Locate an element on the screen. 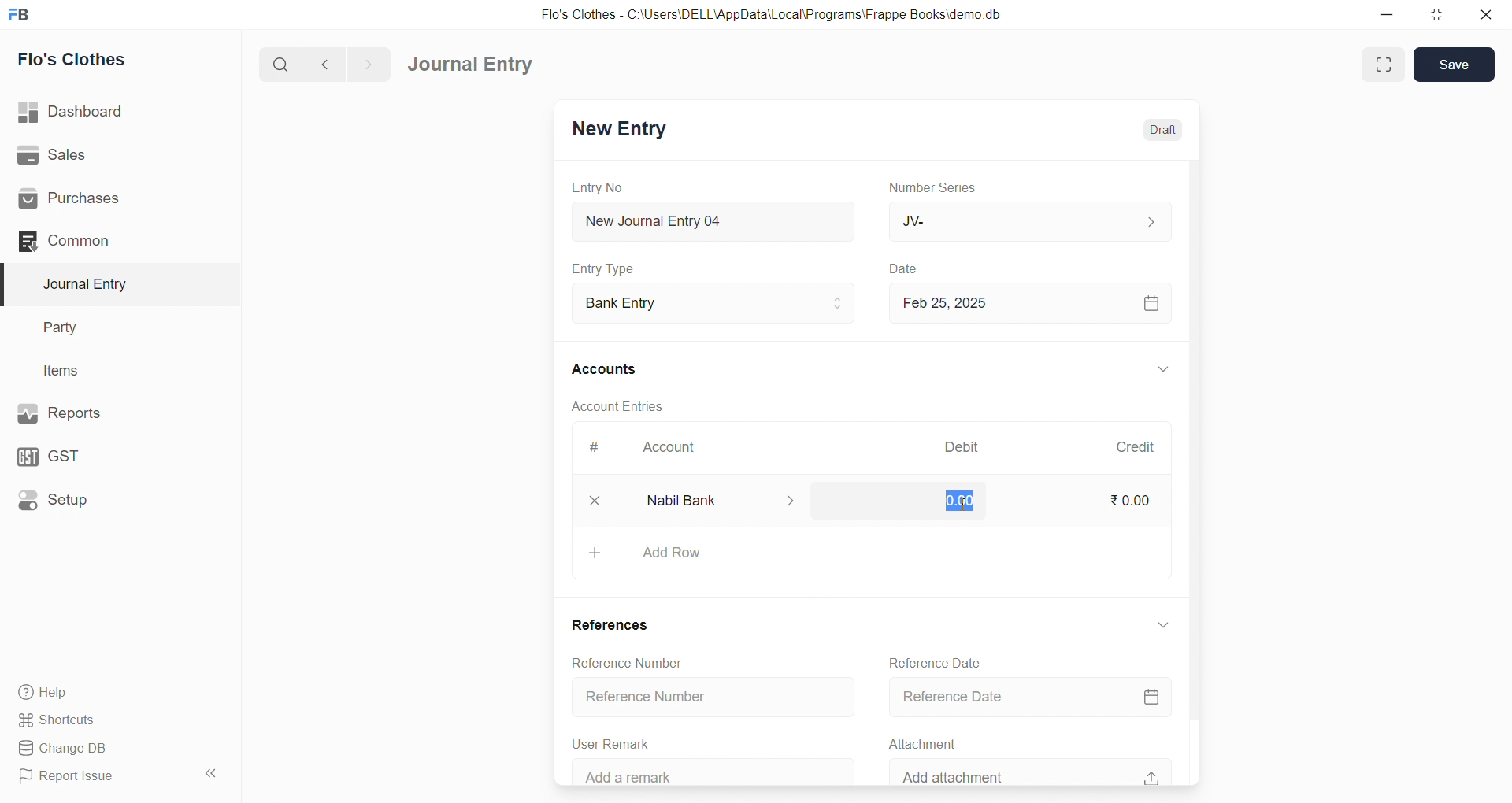 The image size is (1512, 803). Common is located at coordinates (106, 240).